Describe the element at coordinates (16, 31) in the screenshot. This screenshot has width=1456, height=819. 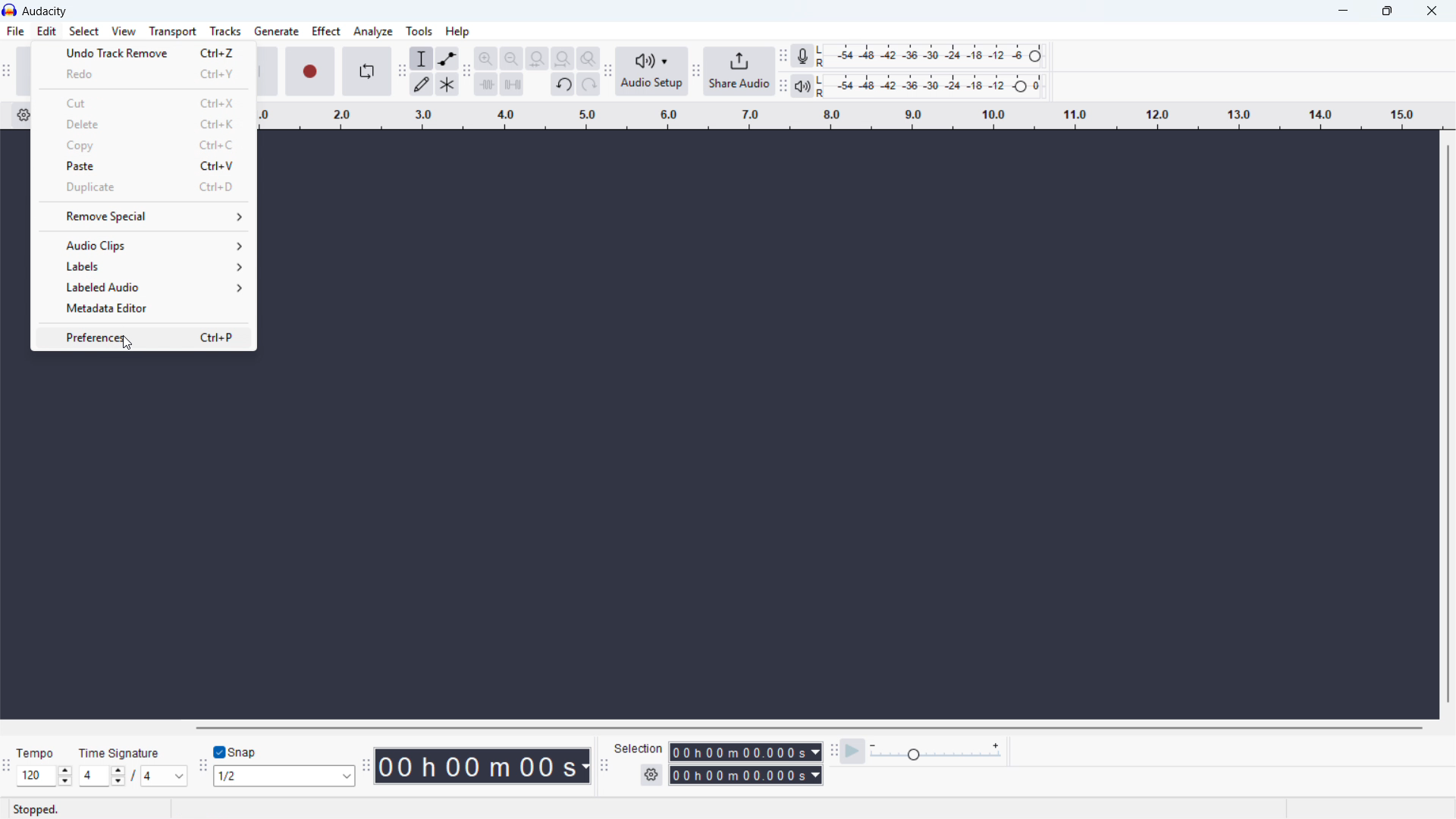
I see `file` at that location.